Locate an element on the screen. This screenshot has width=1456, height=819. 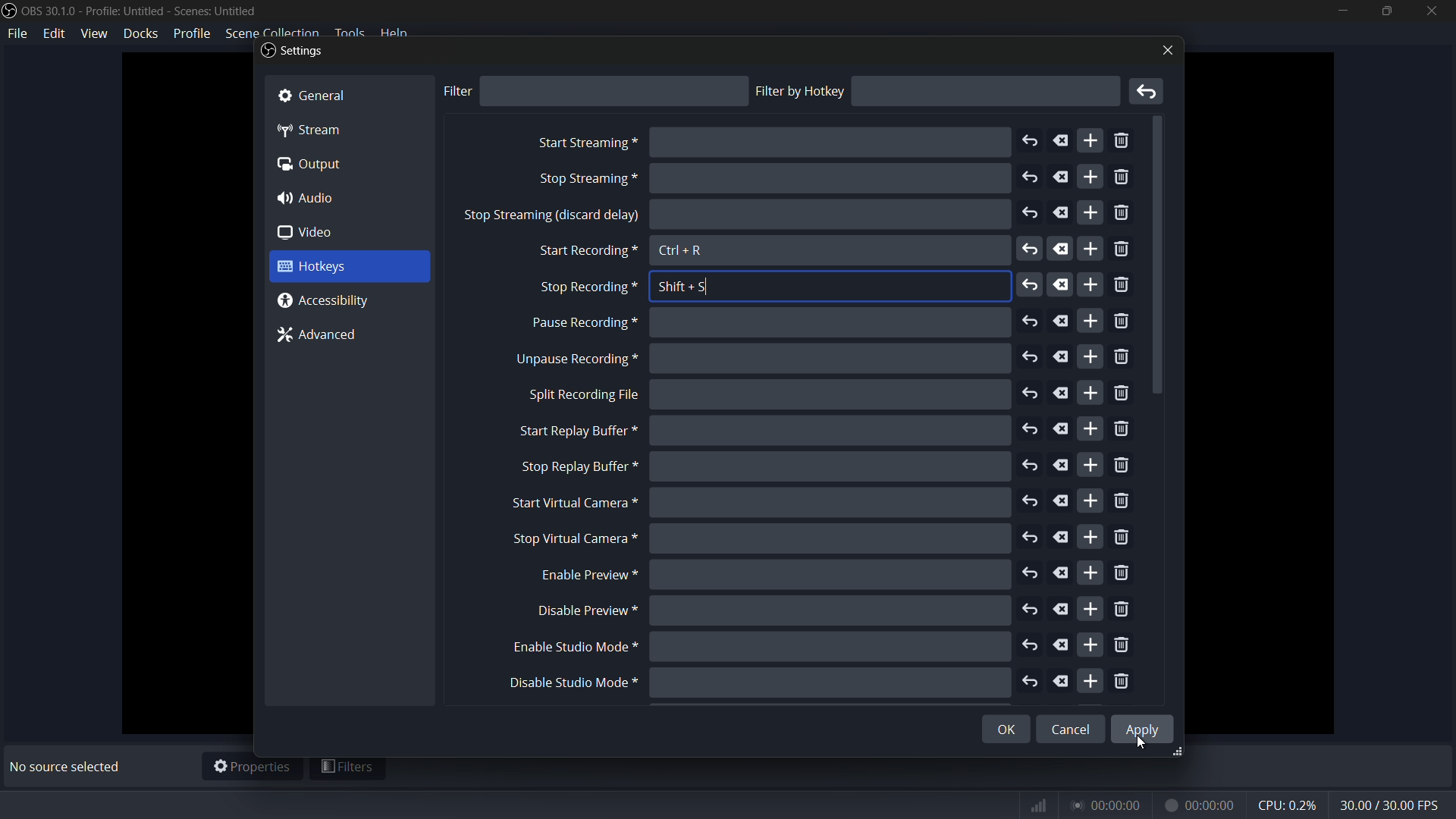
remove is located at coordinates (1125, 573).